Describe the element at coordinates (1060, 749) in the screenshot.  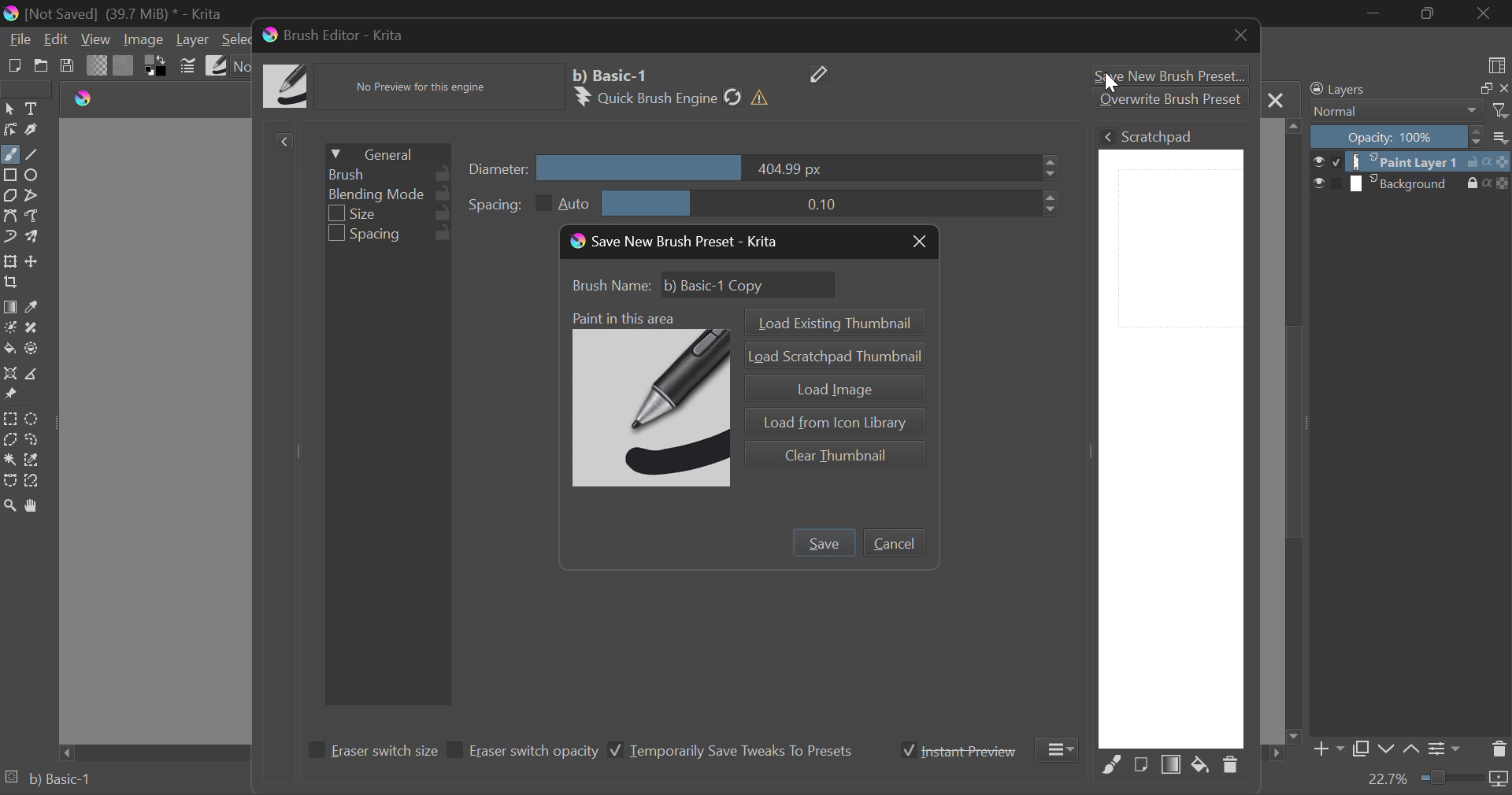
I see `More Options` at that location.